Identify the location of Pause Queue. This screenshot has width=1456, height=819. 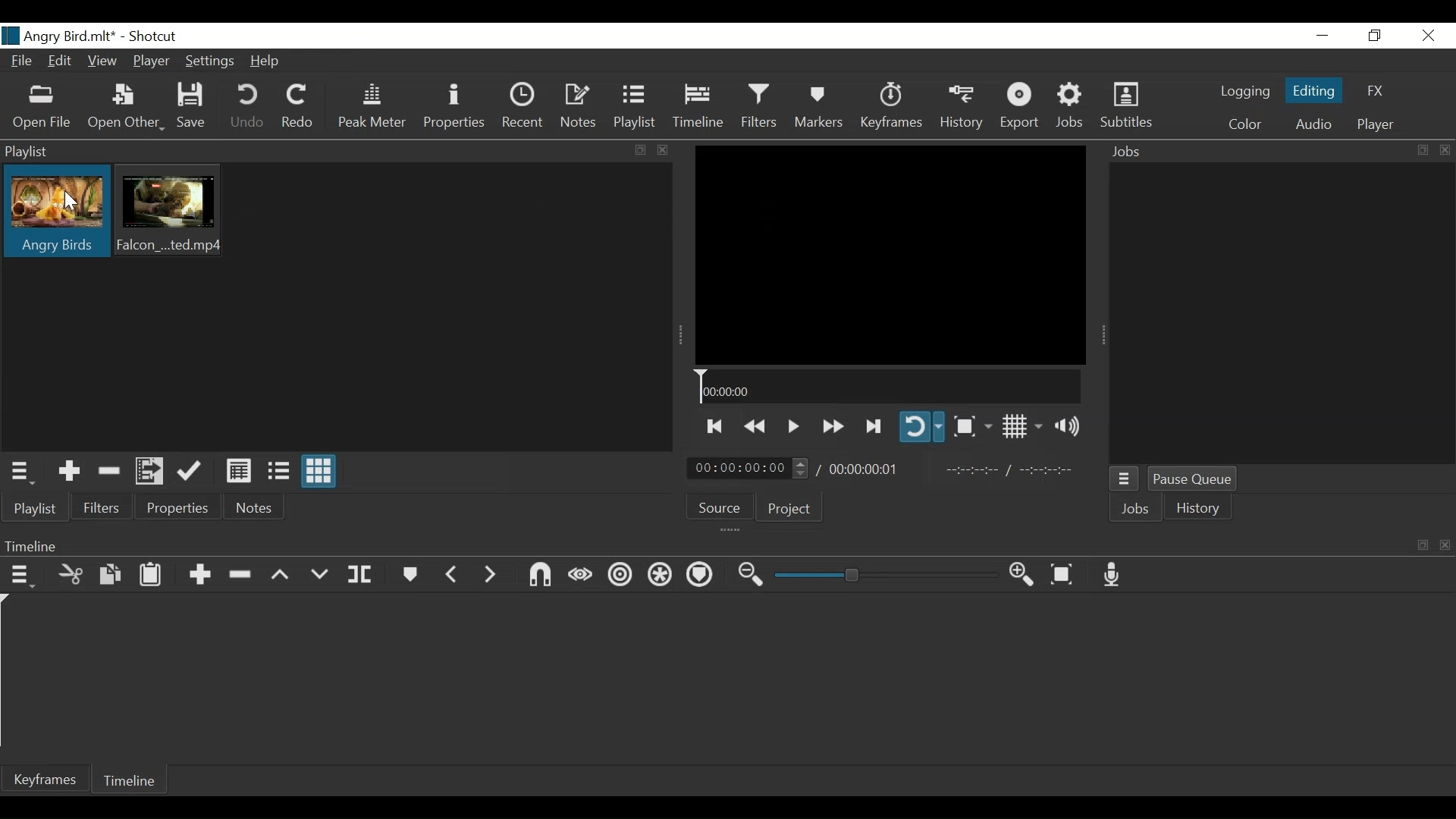
(1193, 479).